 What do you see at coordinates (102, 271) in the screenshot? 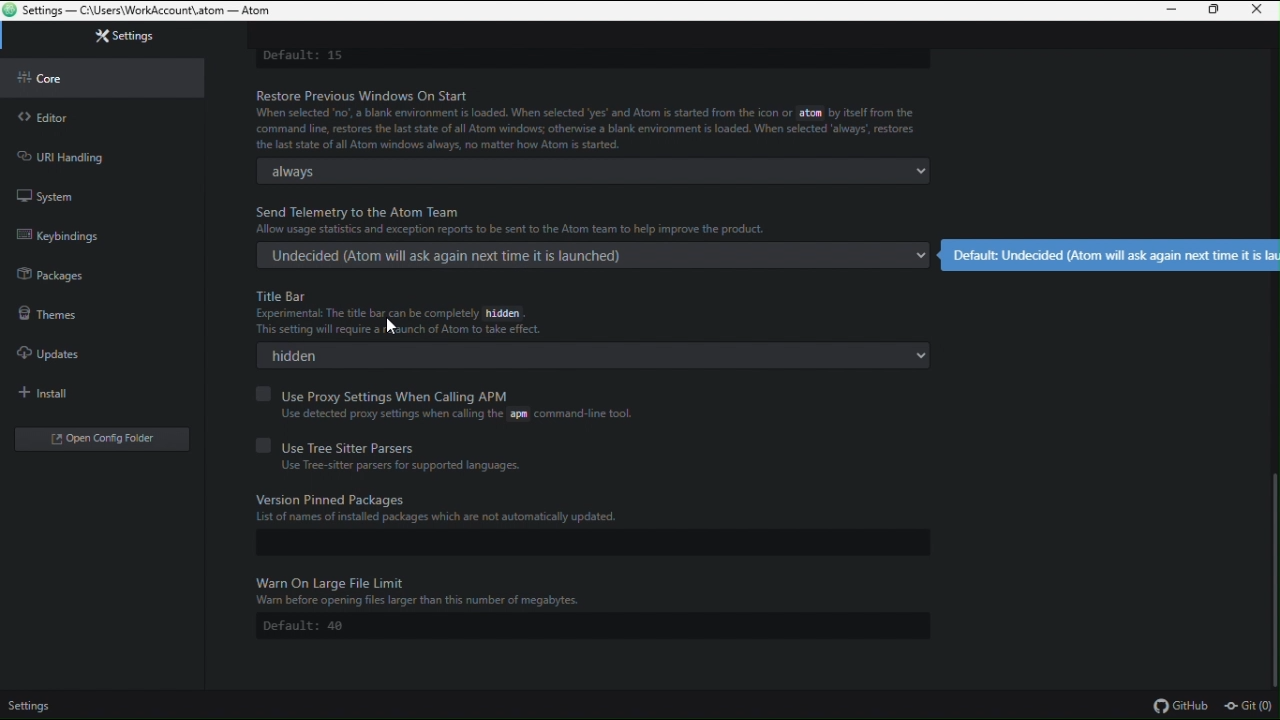
I see `packages` at bounding box center [102, 271].